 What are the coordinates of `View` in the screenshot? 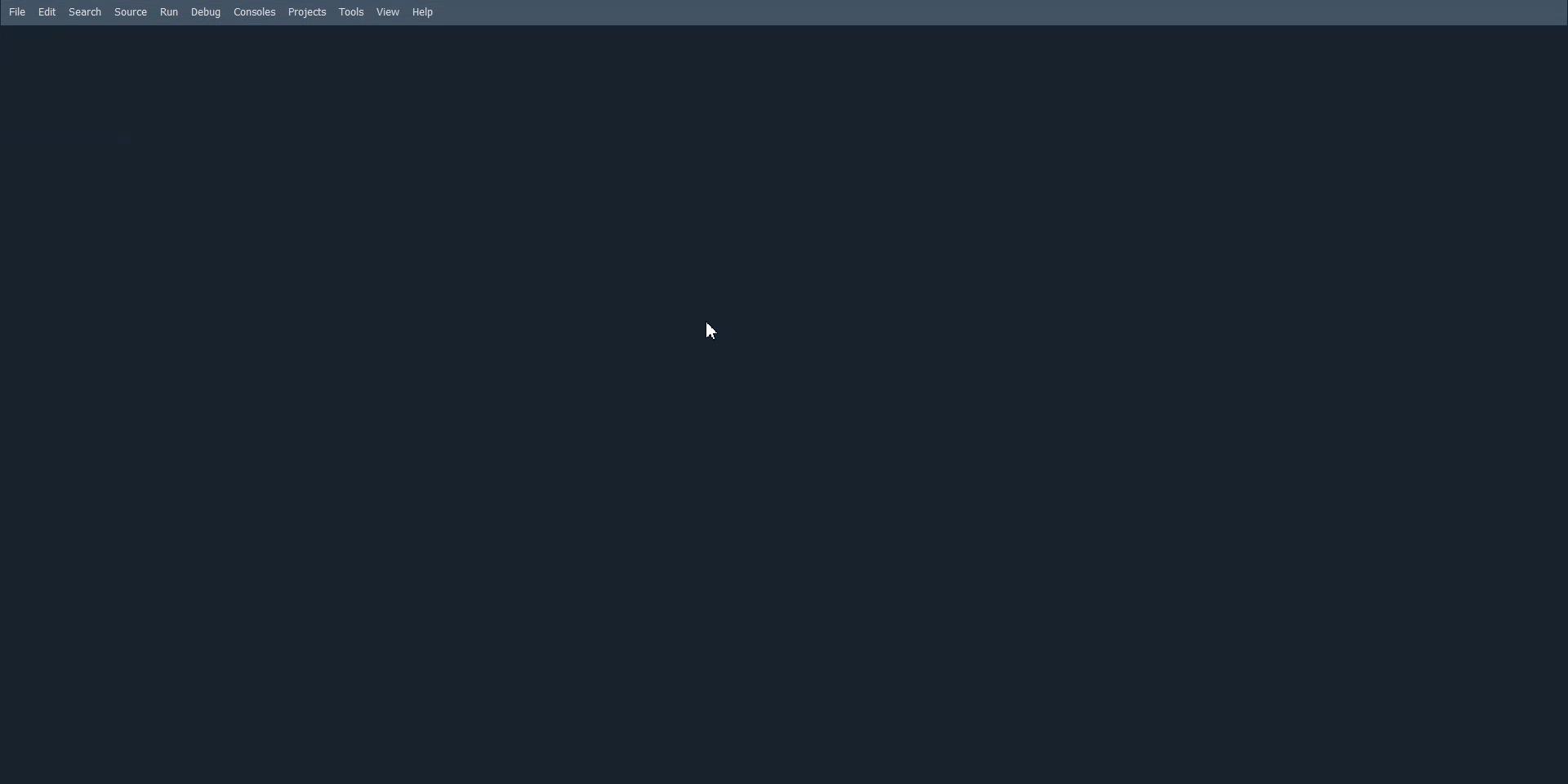 It's located at (389, 11).